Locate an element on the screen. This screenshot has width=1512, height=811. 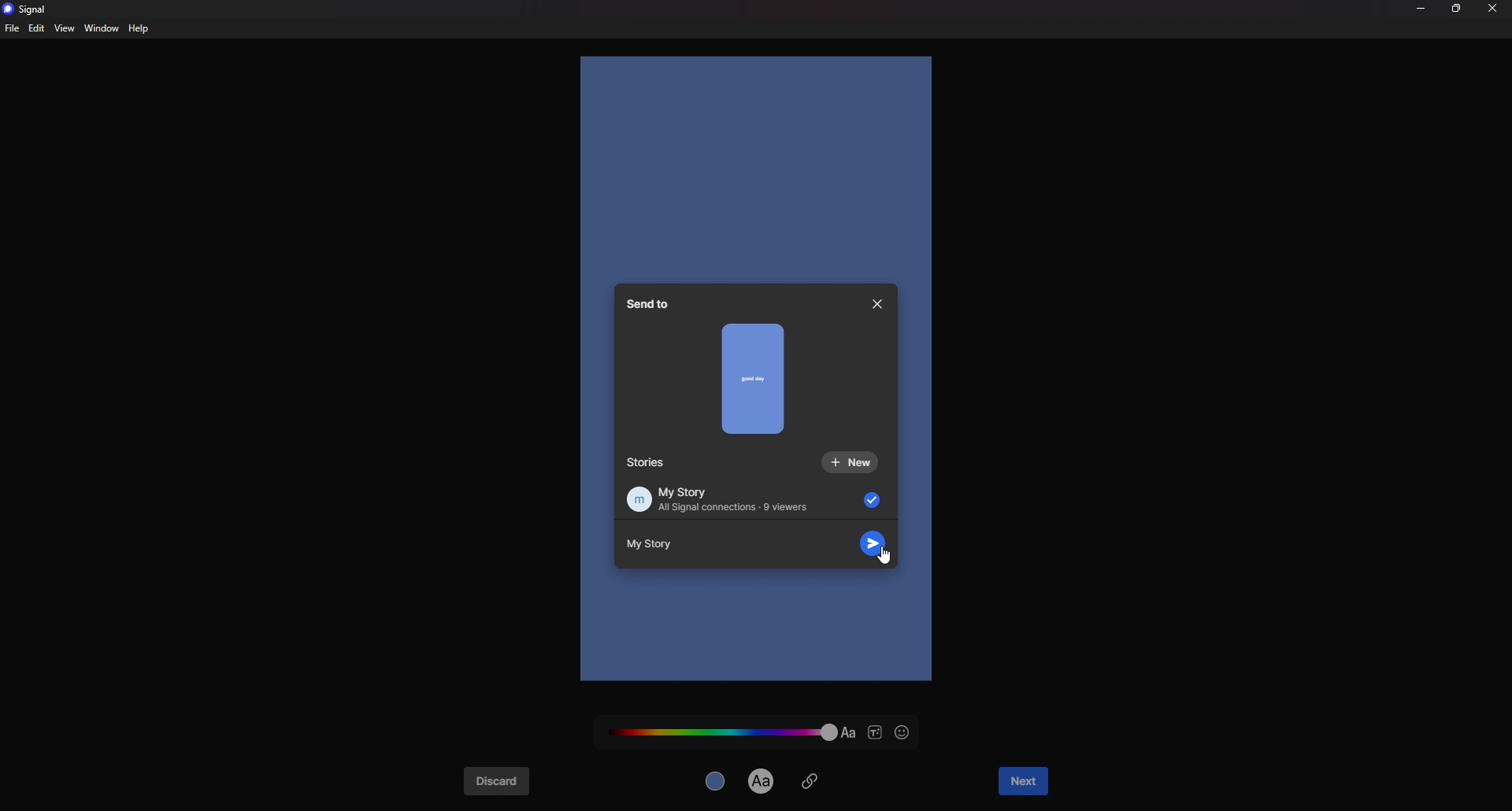
preview is located at coordinates (754, 378).